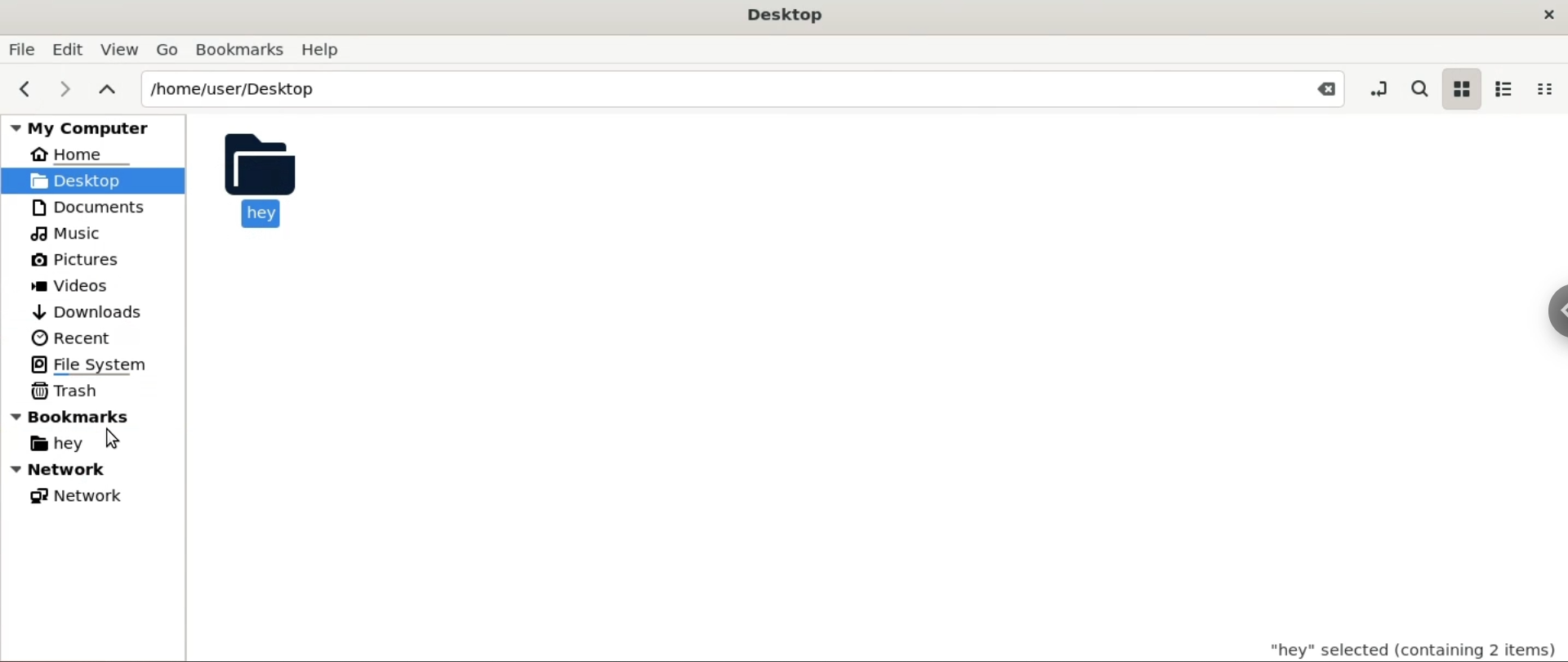 The image size is (1568, 662). What do you see at coordinates (238, 48) in the screenshot?
I see `Bookmarks` at bounding box center [238, 48].